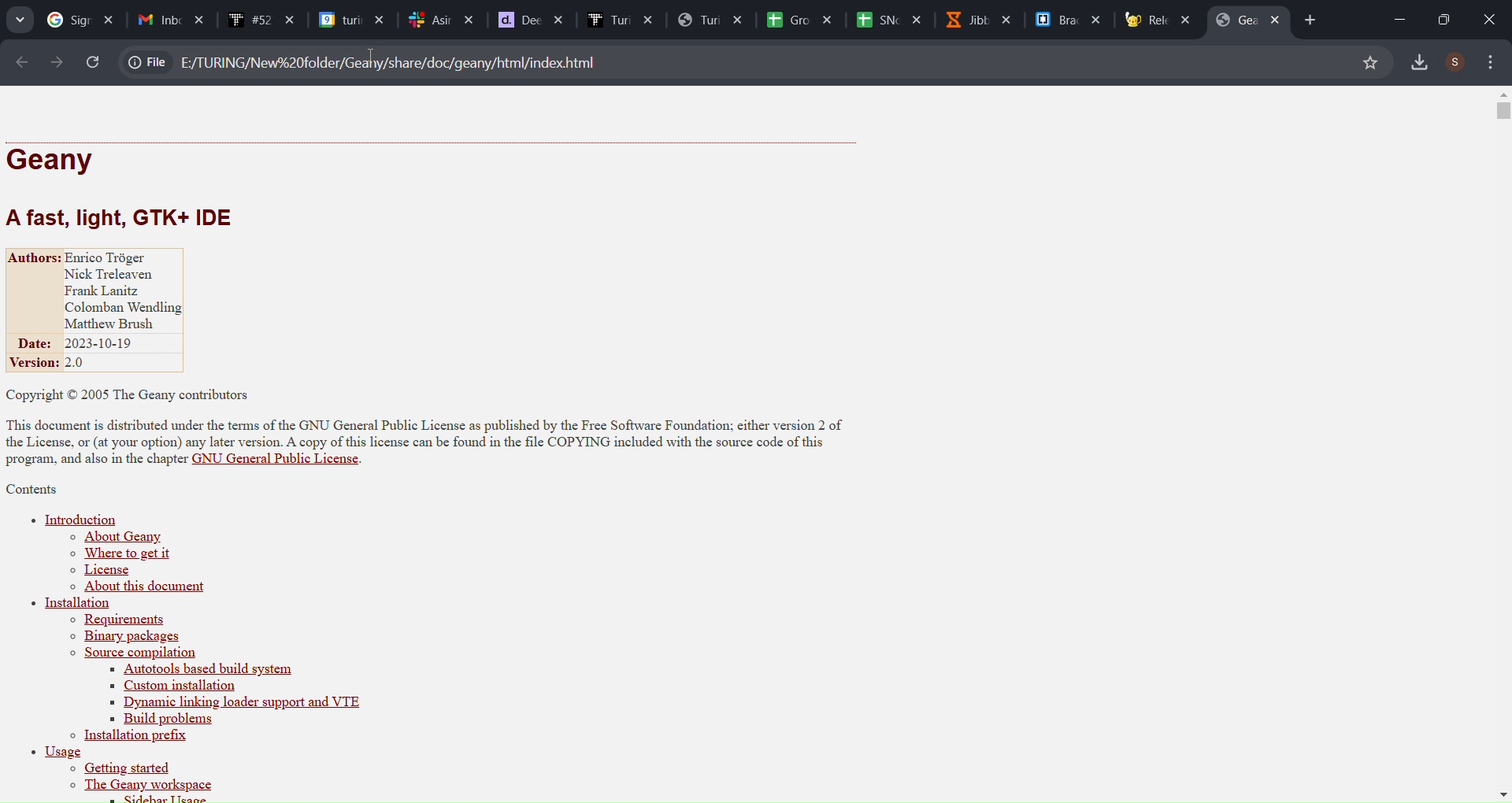 The height and width of the screenshot is (803, 1512). What do you see at coordinates (1492, 62) in the screenshot?
I see `more` at bounding box center [1492, 62].